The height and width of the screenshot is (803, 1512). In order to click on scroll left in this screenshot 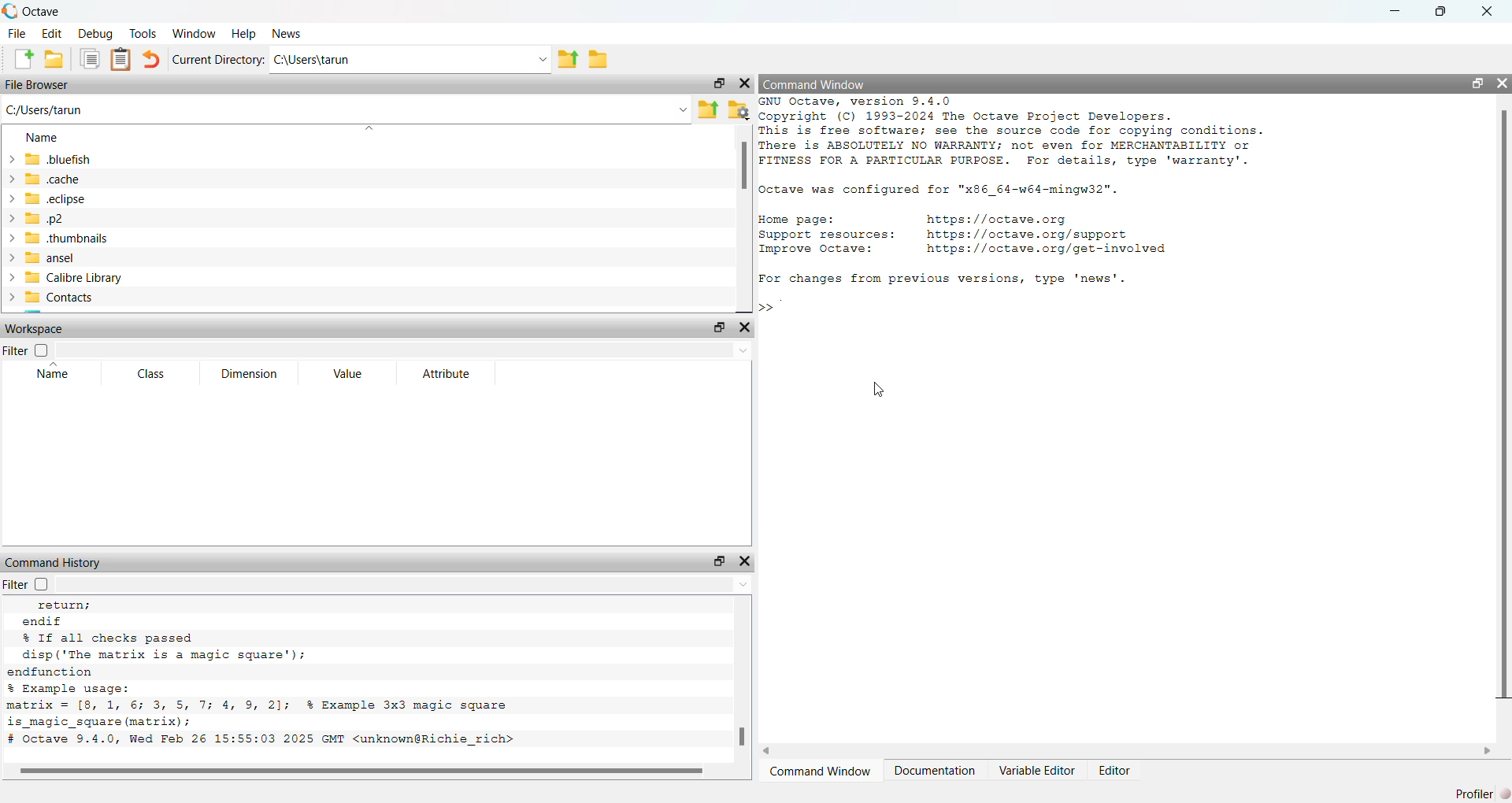, I will do `click(766, 750)`.